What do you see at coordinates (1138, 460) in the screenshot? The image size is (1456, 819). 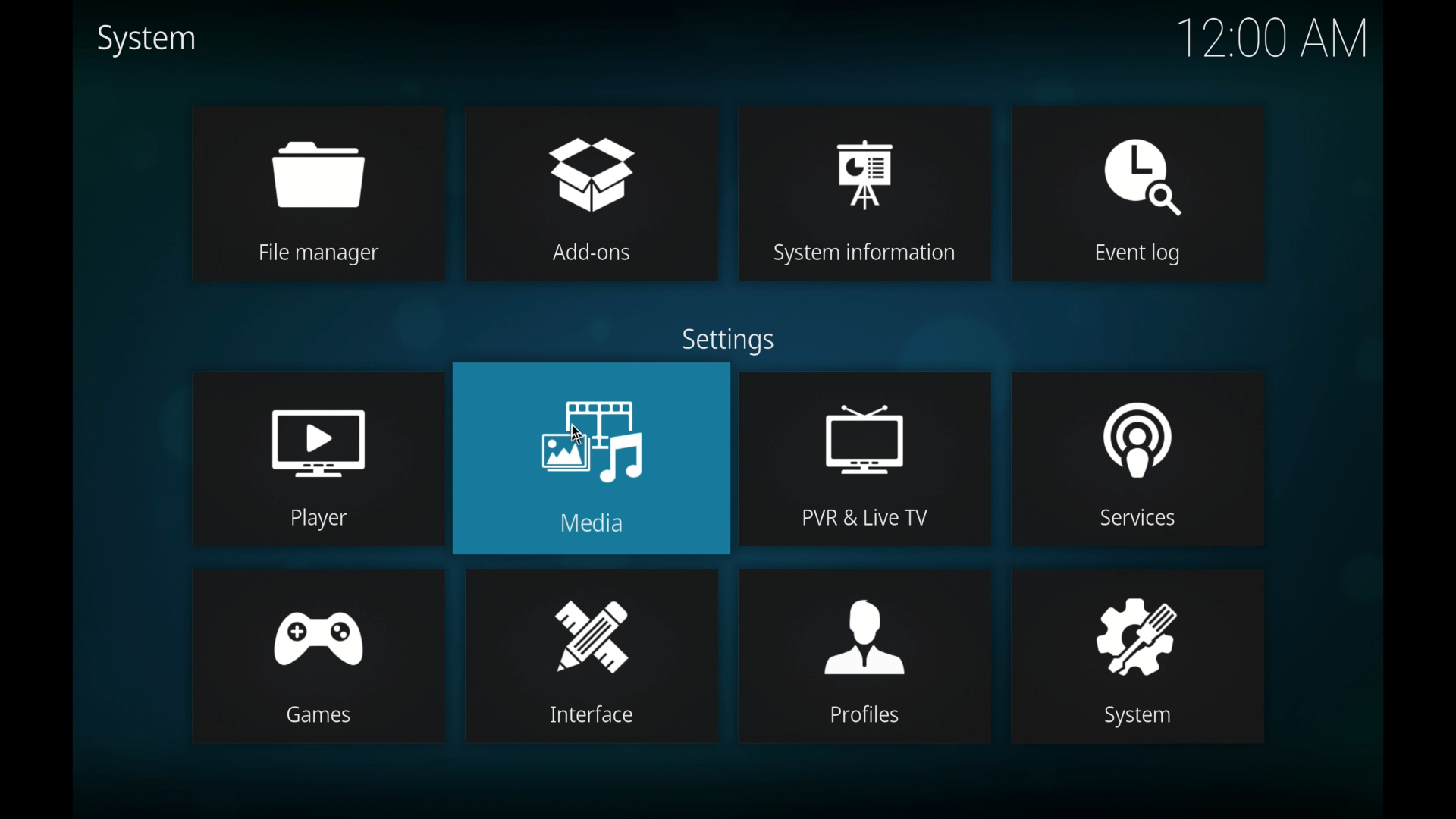 I see `services` at bounding box center [1138, 460].